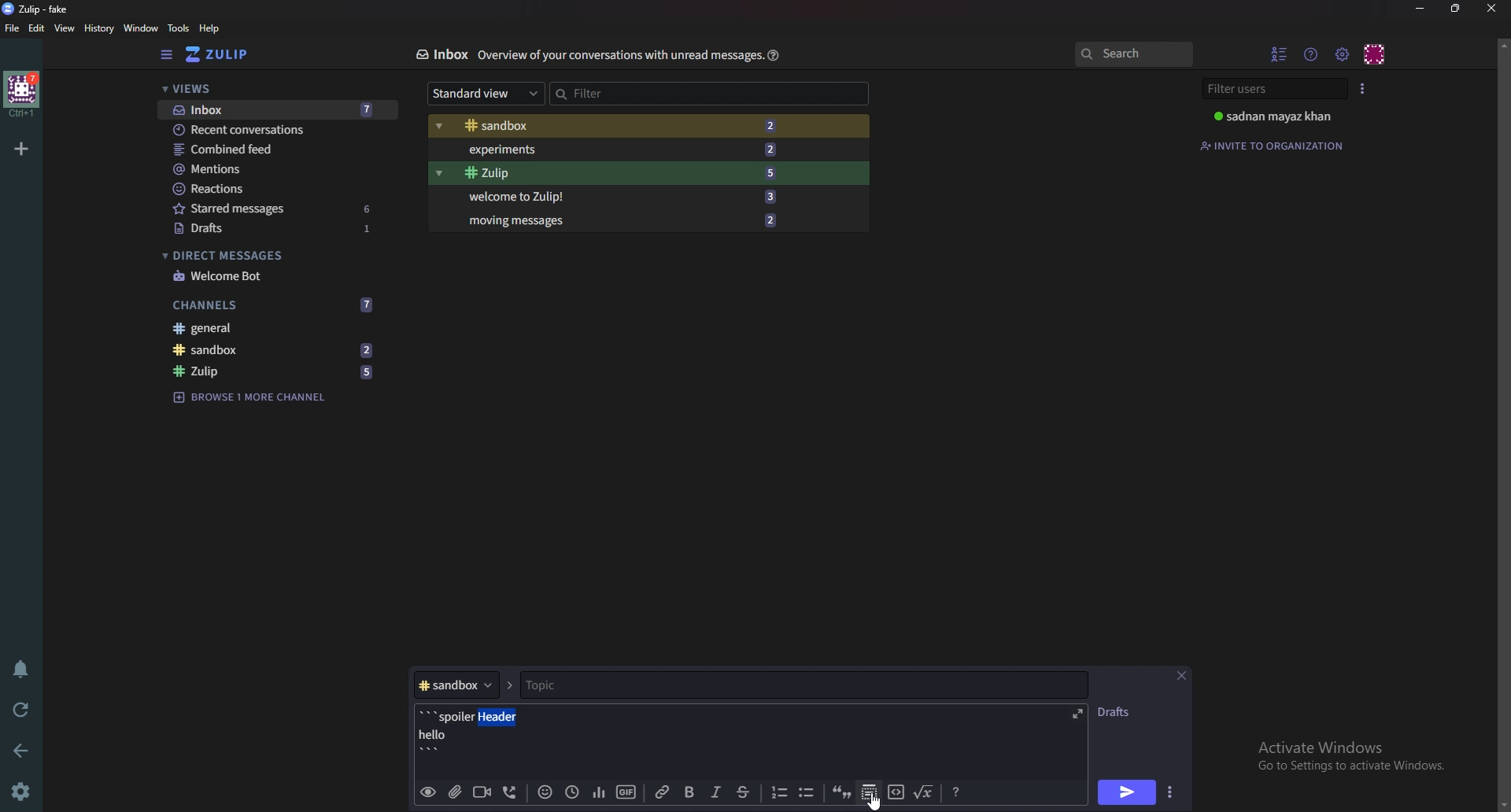 The height and width of the screenshot is (812, 1511). What do you see at coordinates (275, 305) in the screenshot?
I see `Channels 7` at bounding box center [275, 305].